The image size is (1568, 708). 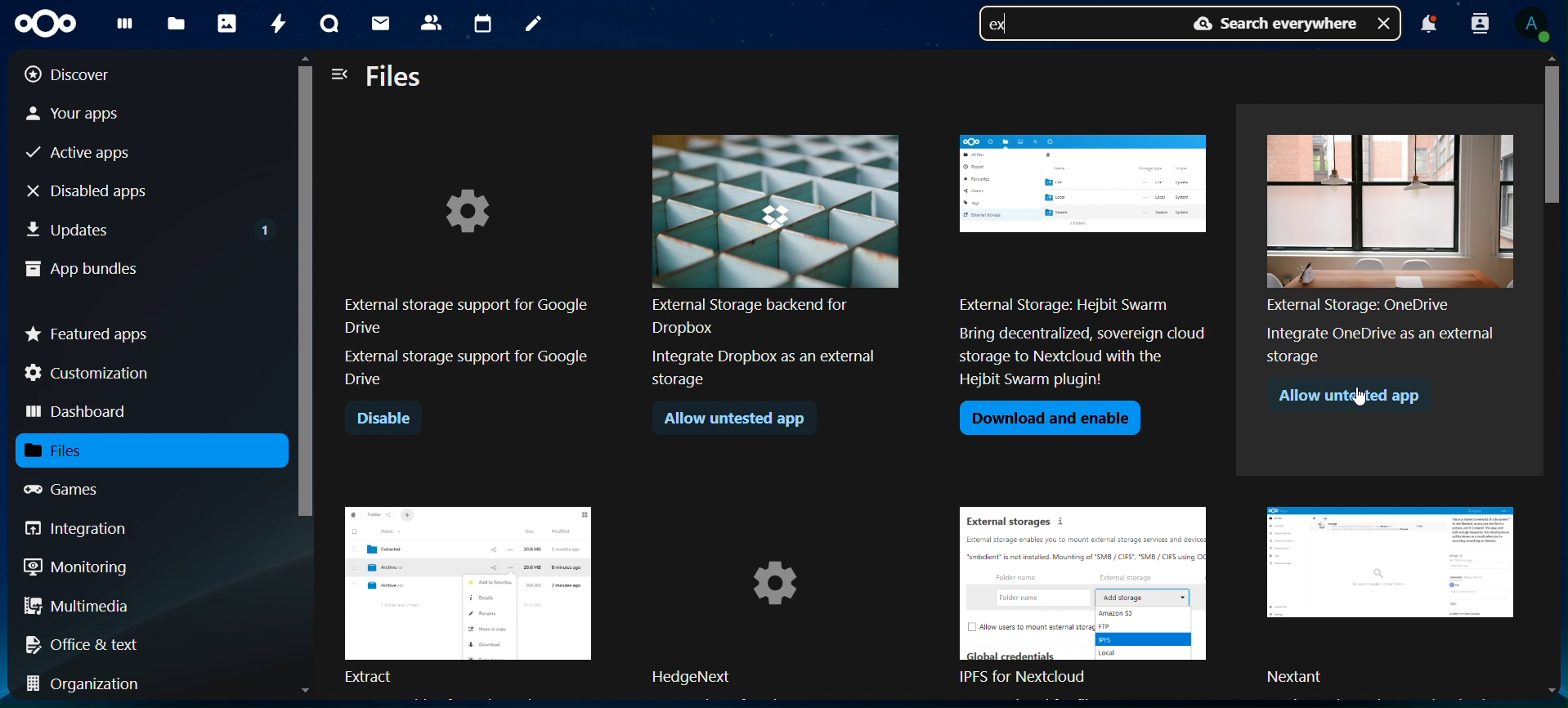 What do you see at coordinates (1428, 26) in the screenshot?
I see `notifications` at bounding box center [1428, 26].